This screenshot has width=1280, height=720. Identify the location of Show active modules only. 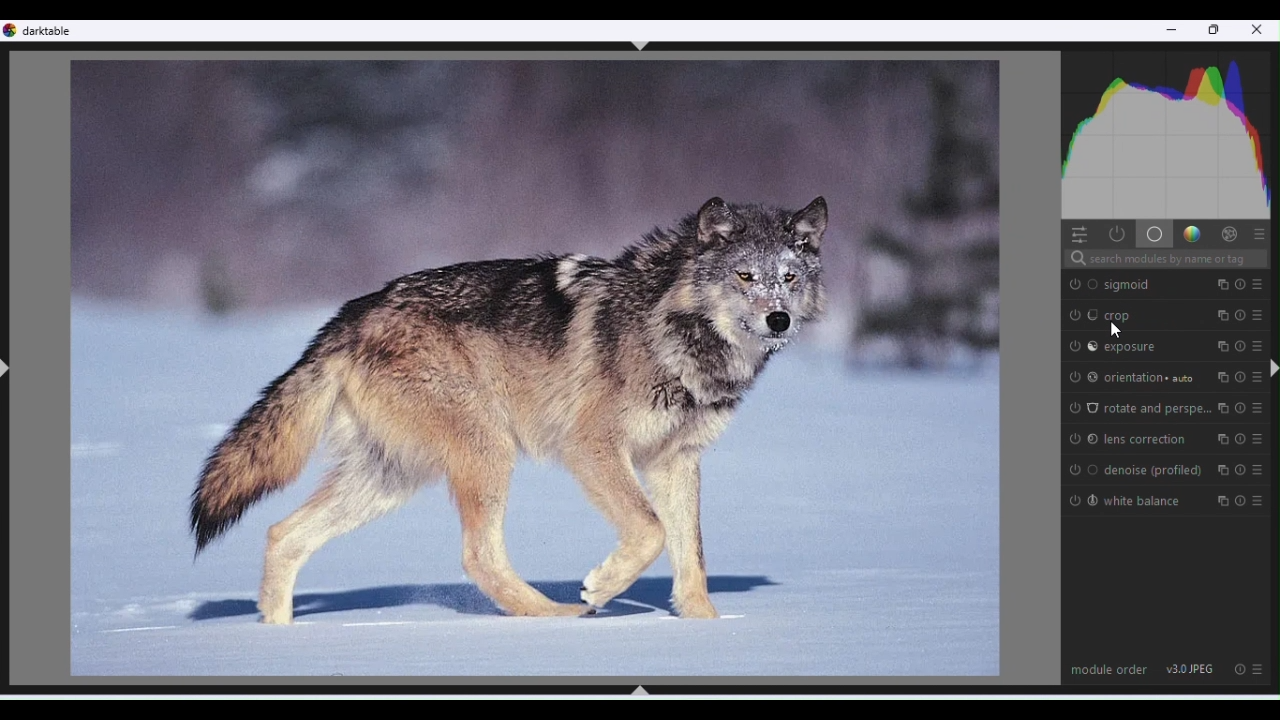
(1115, 234).